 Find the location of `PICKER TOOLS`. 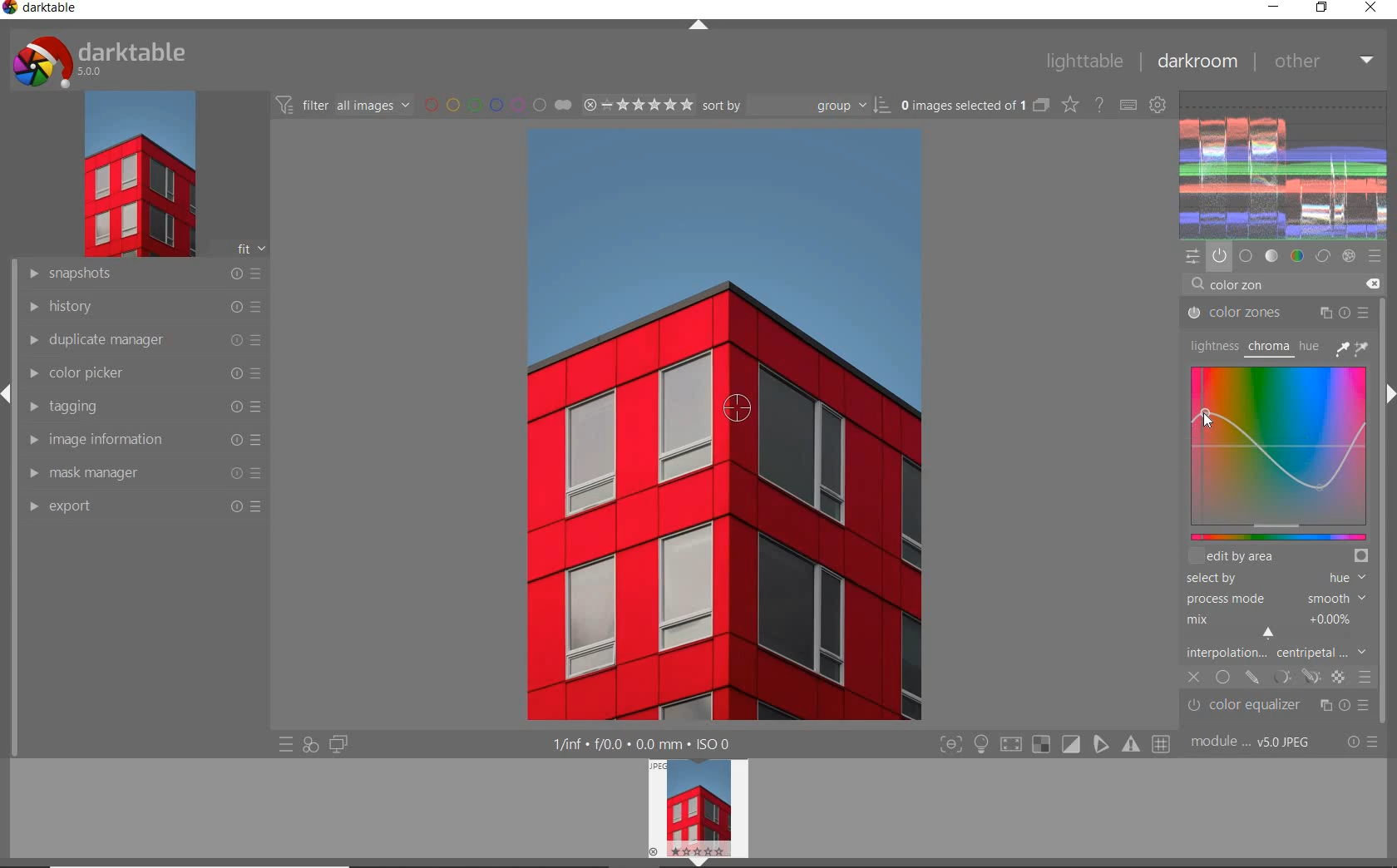

PICKER TOOLS is located at coordinates (1354, 348).